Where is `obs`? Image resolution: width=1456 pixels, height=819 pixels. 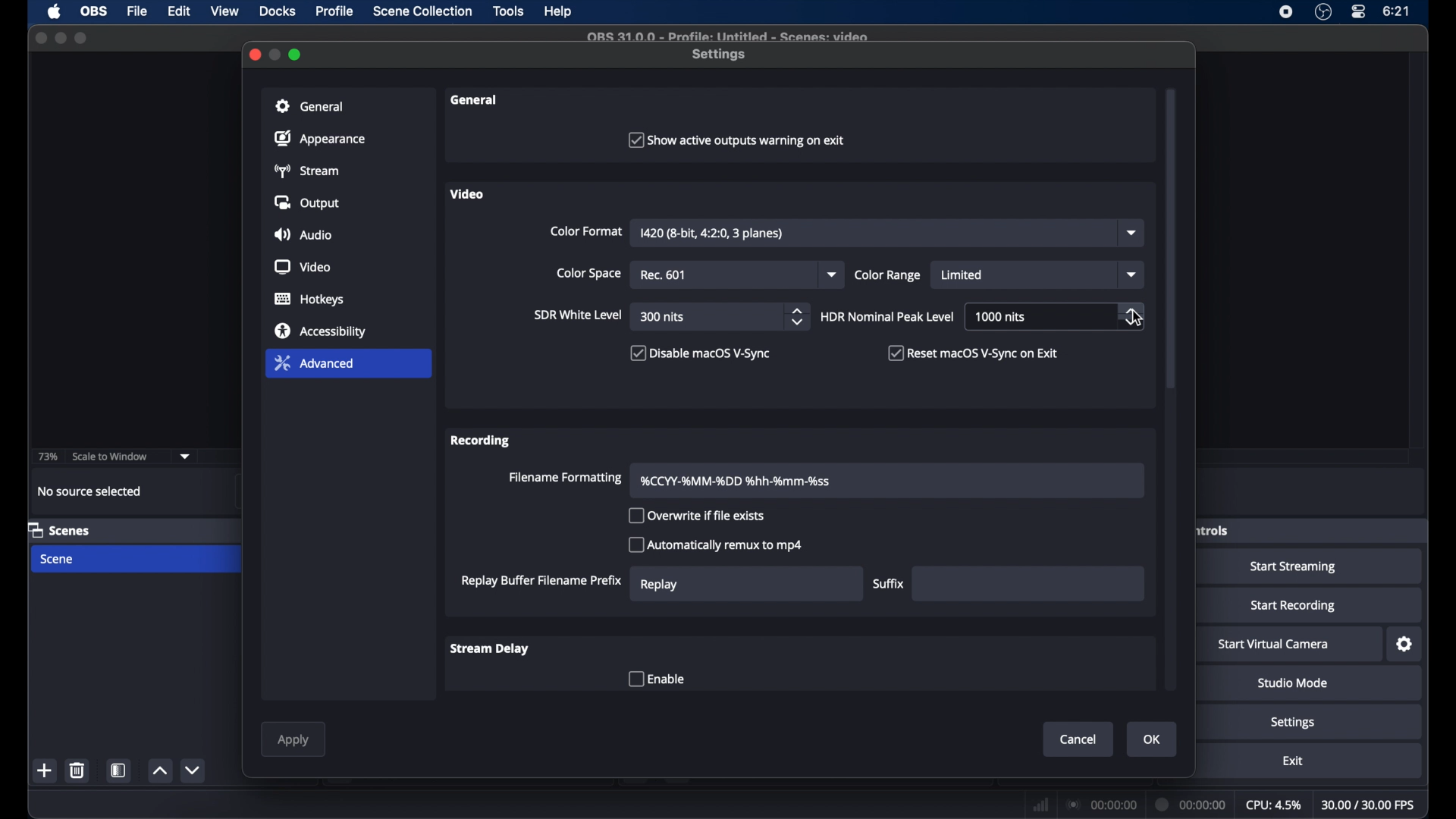 obs is located at coordinates (96, 11).